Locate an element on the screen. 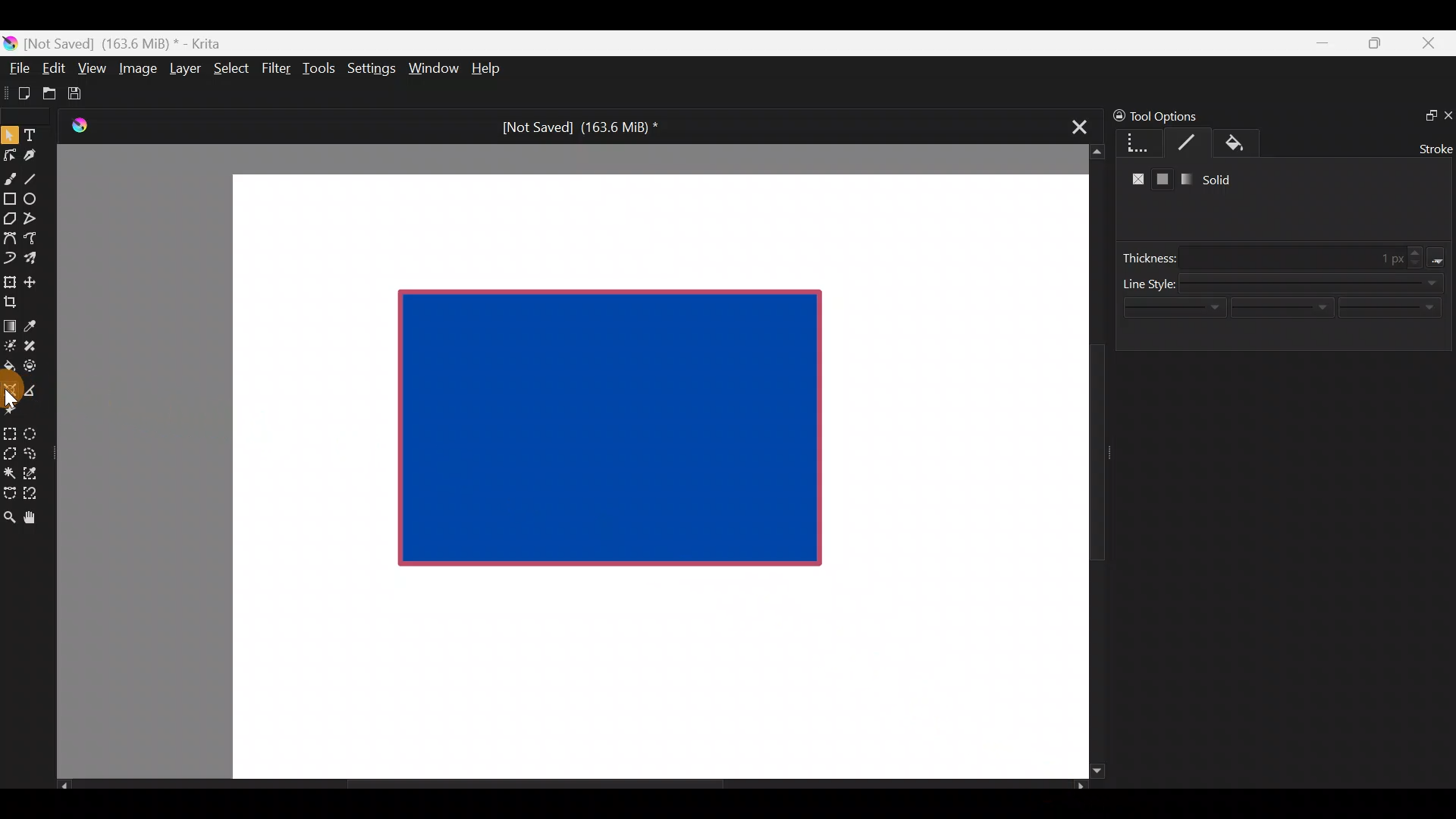 The height and width of the screenshot is (819, 1456). Canvas is located at coordinates (648, 475).